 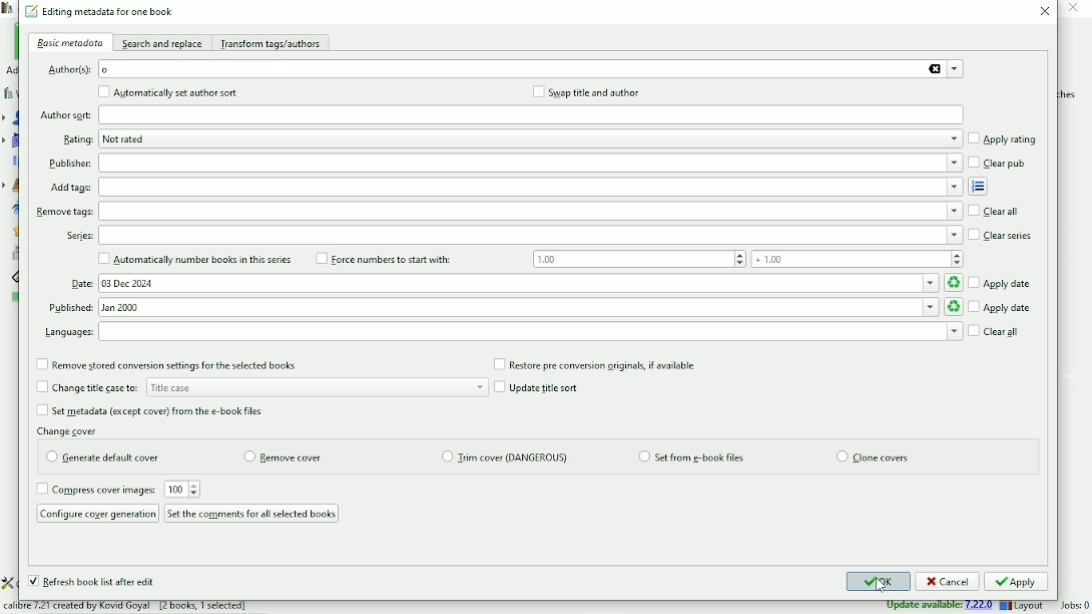 I want to click on Apply, so click(x=1016, y=581).